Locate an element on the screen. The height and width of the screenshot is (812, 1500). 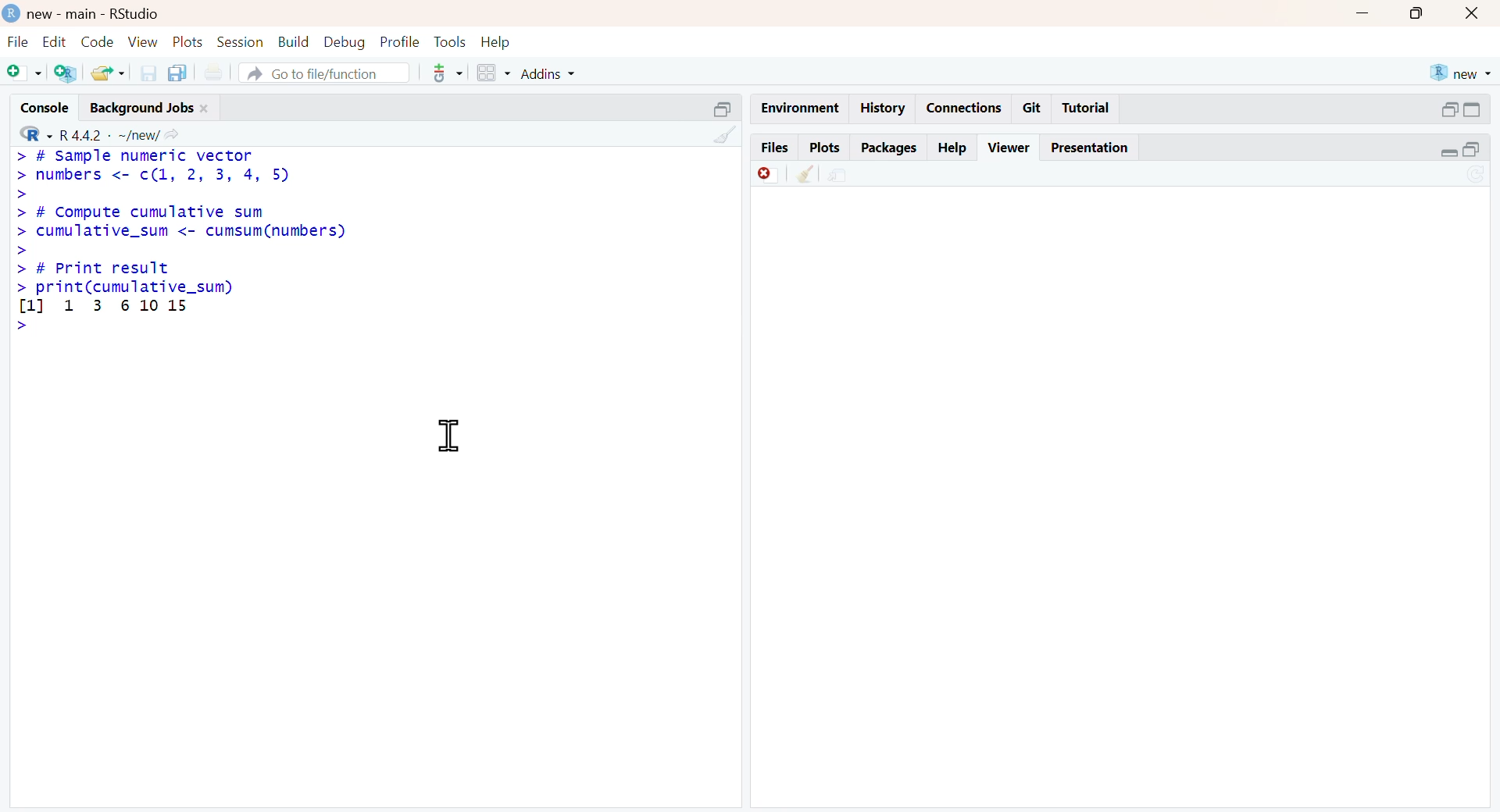
edit is located at coordinates (54, 41).